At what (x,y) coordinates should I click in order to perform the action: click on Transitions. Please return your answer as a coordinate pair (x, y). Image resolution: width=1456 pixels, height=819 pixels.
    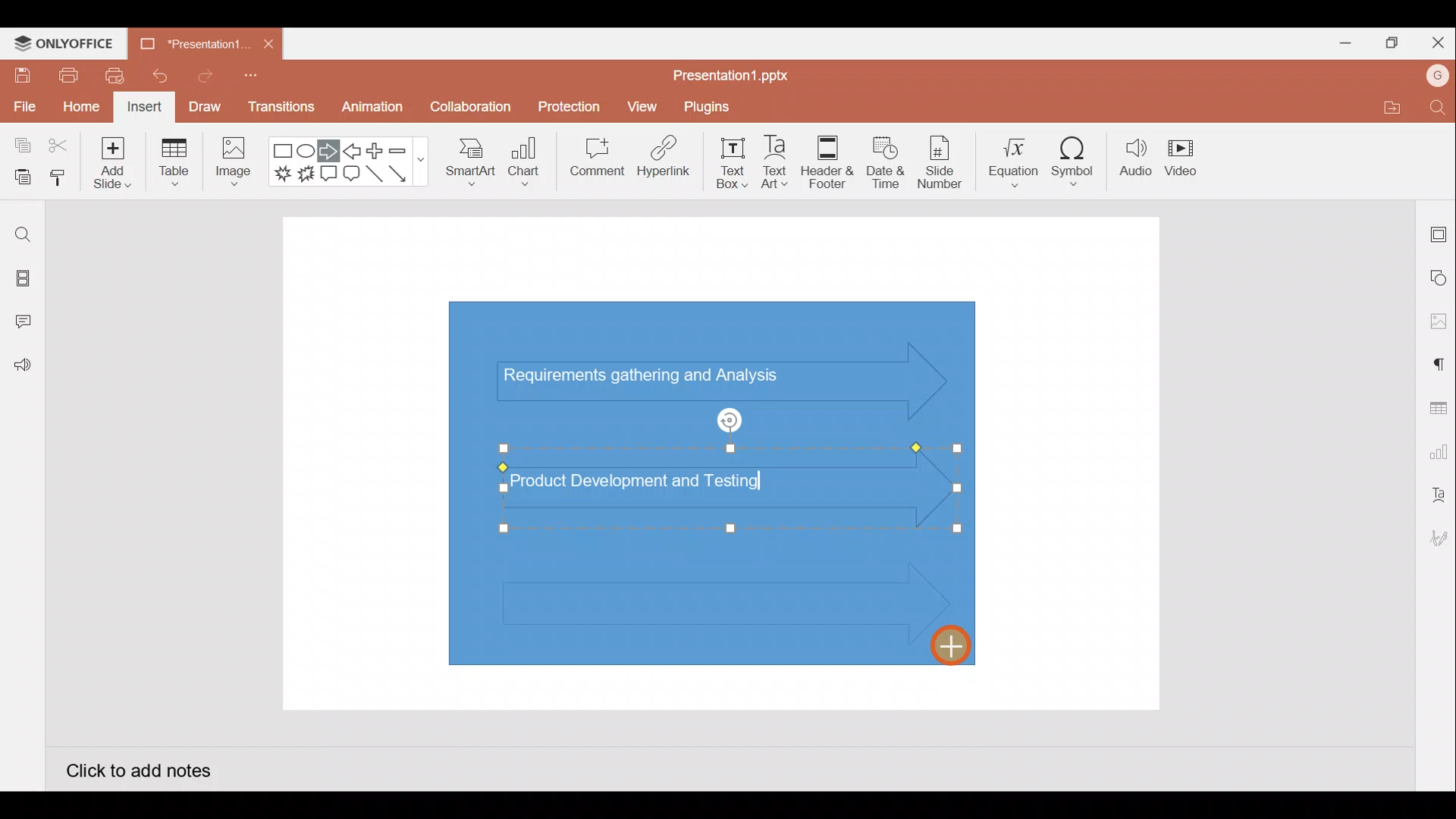
    Looking at the image, I should click on (282, 111).